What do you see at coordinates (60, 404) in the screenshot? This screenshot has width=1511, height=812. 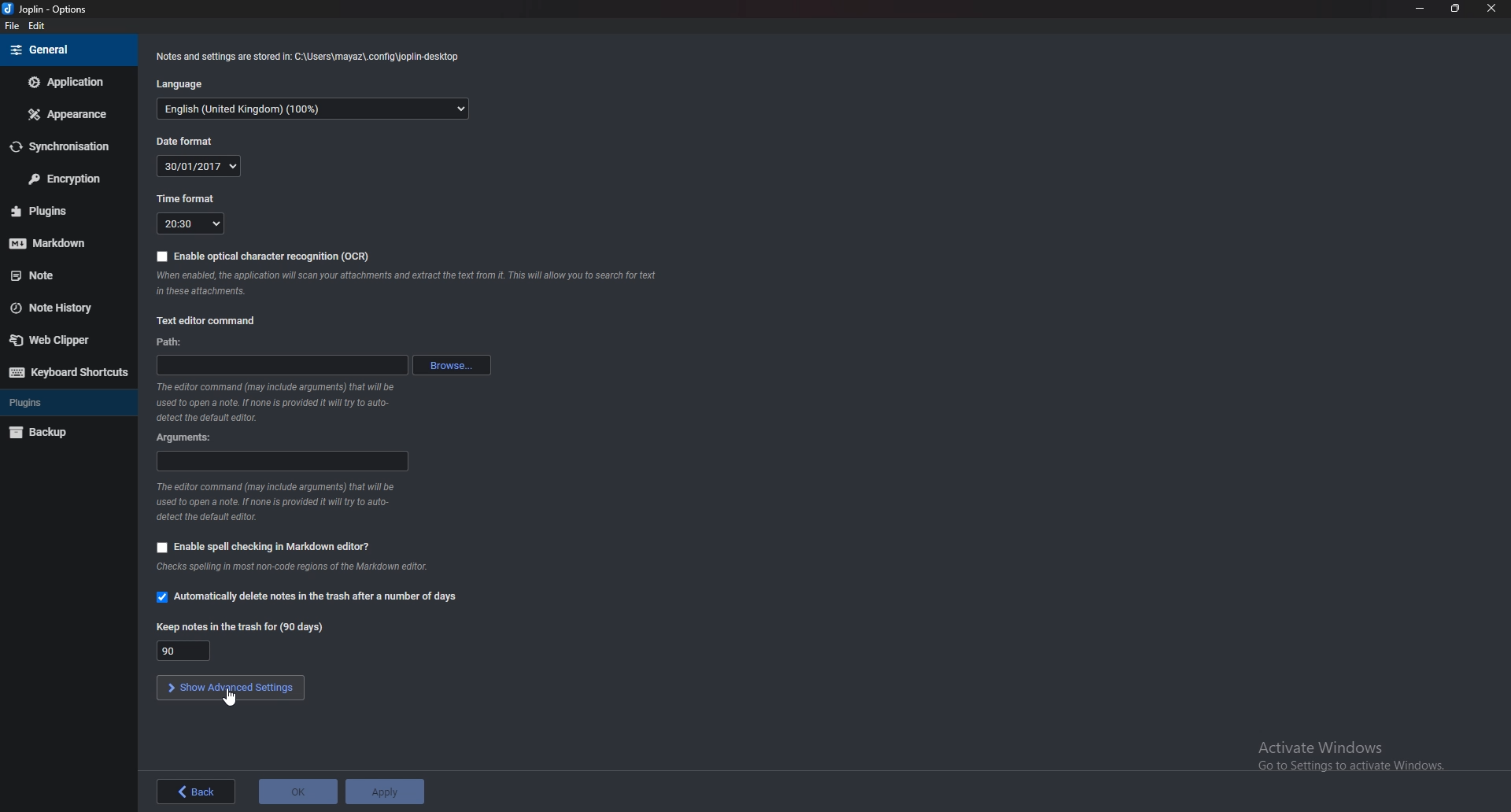 I see `Plugins` at bounding box center [60, 404].